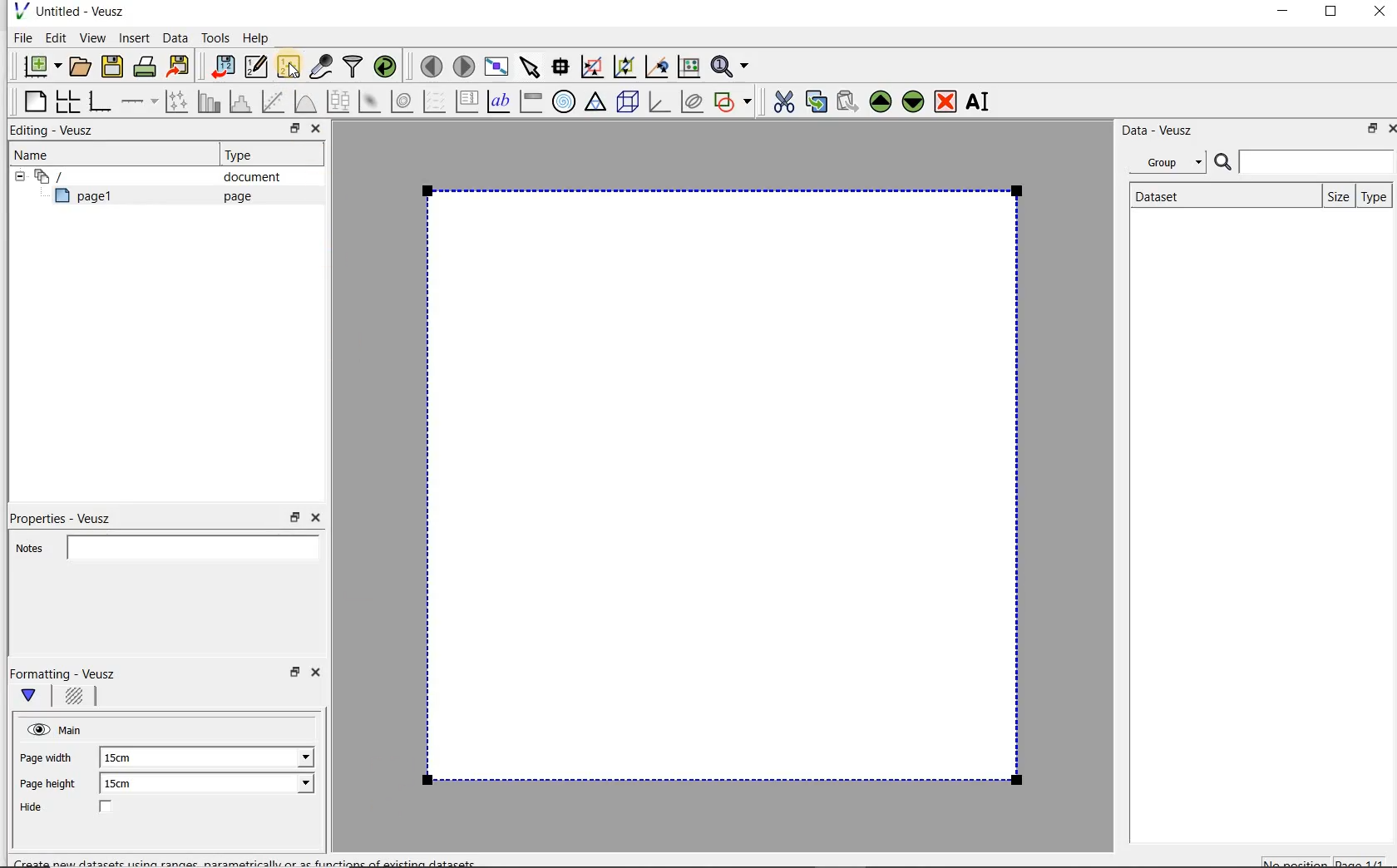  Describe the element at coordinates (20, 38) in the screenshot. I see `File` at that location.